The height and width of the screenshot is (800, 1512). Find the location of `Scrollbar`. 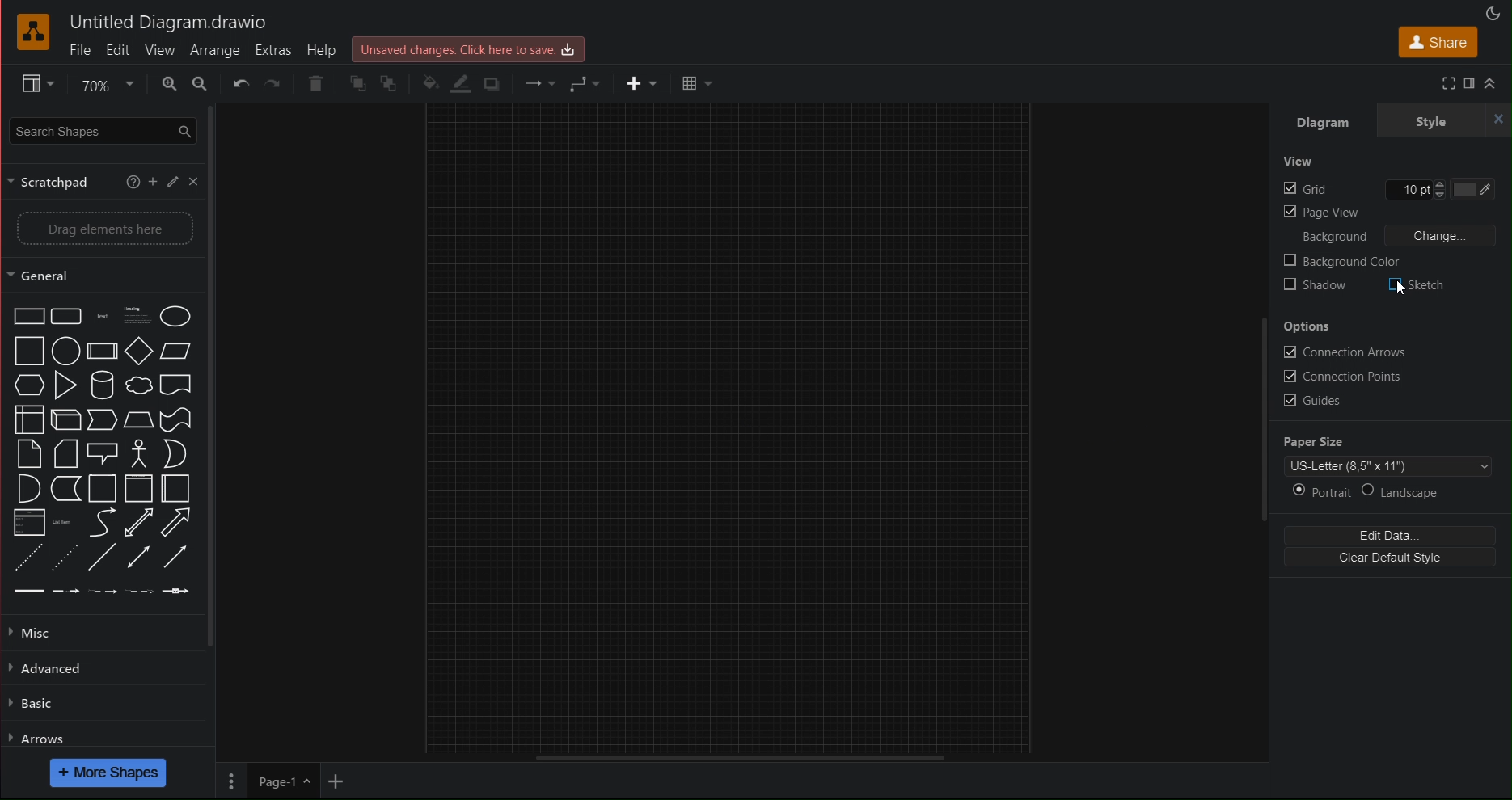

Scrollbar is located at coordinates (1261, 419).